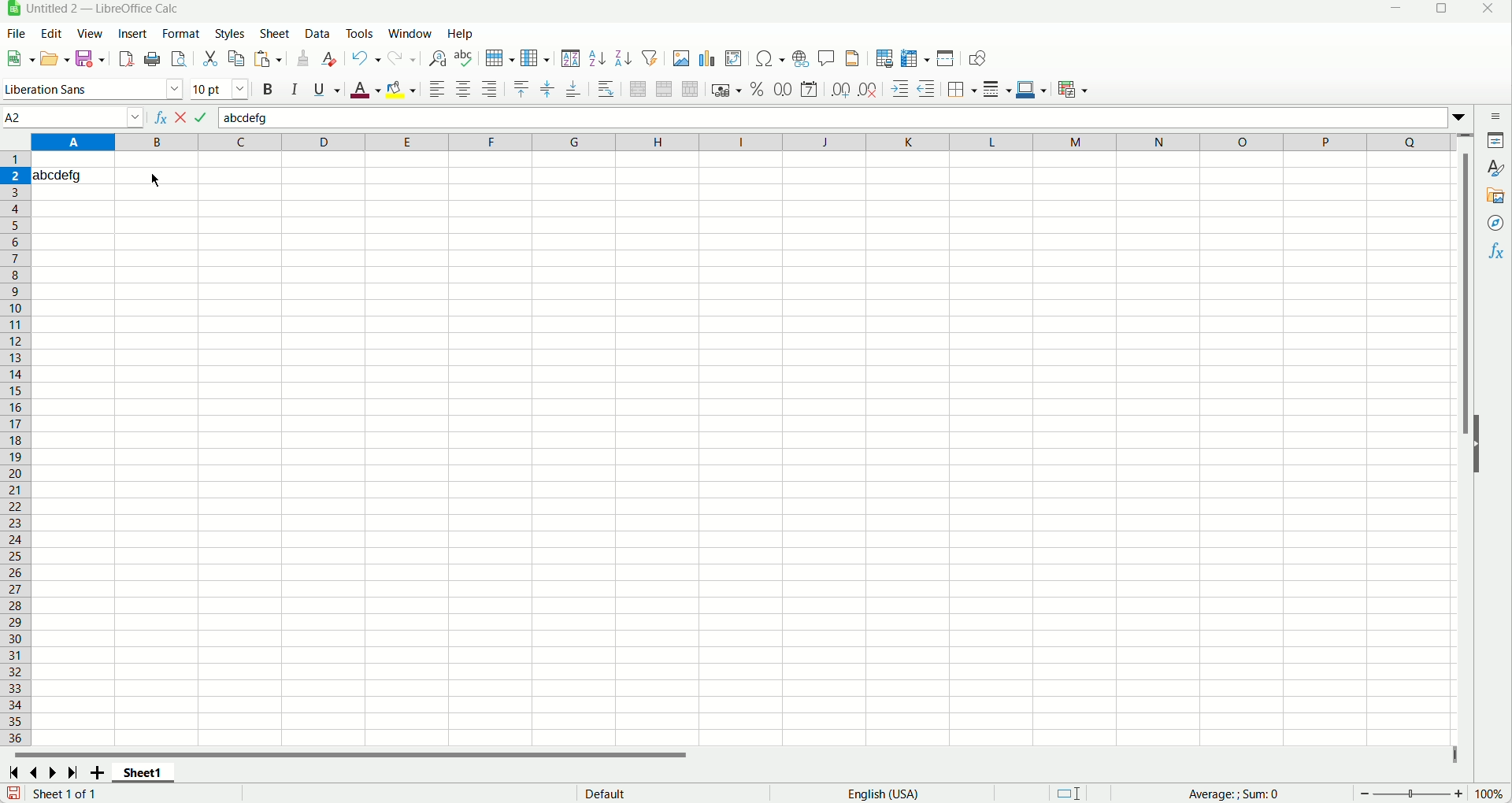  What do you see at coordinates (808, 90) in the screenshot?
I see `format as date` at bounding box center [808, 90].